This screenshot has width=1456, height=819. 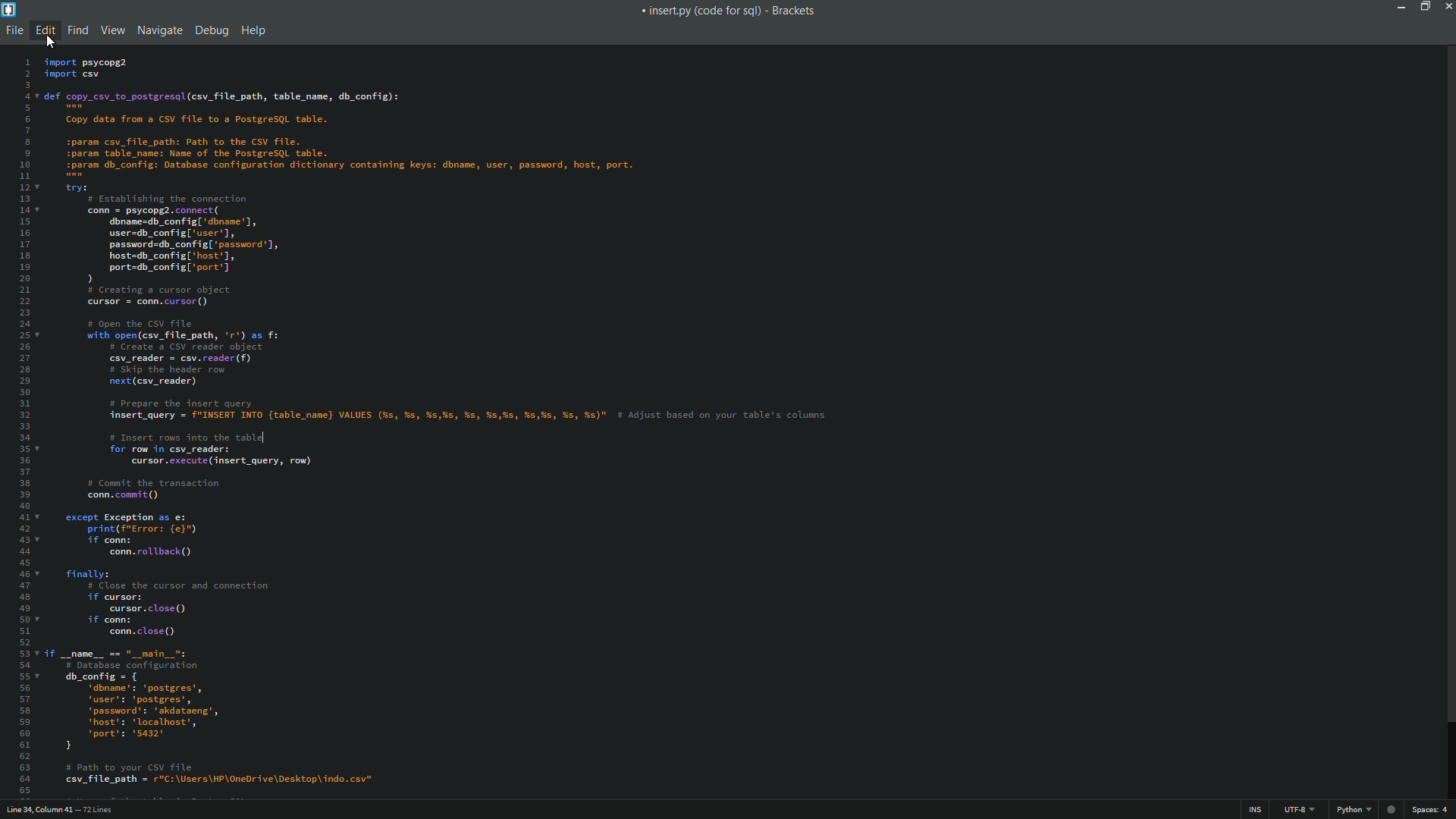 I want to click on close app, so click(x=1447, y=7).